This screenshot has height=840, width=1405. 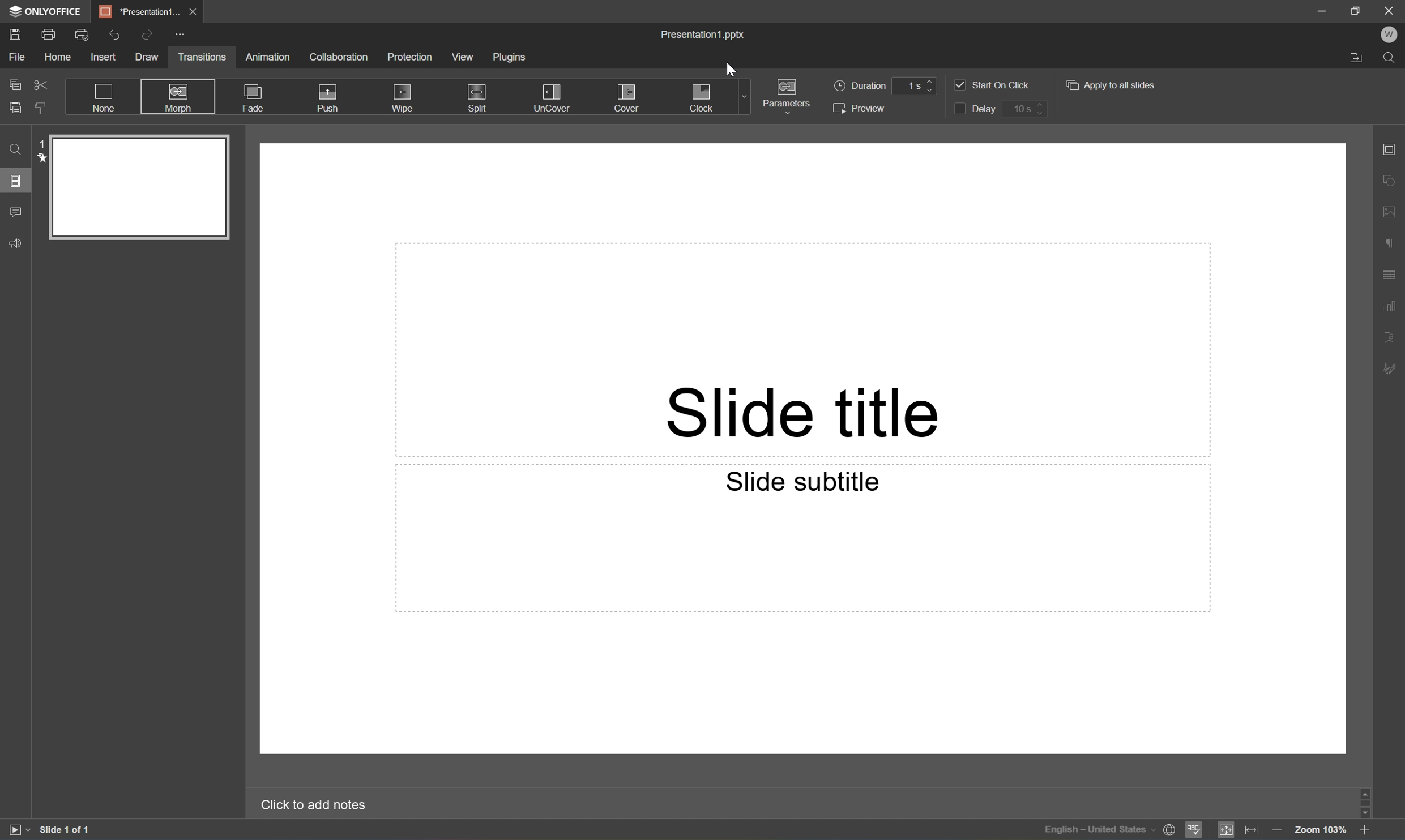 What do you see at coordinates (114, 34) in the screenshot?
I see `Undo` at bounding box center [114, 34].